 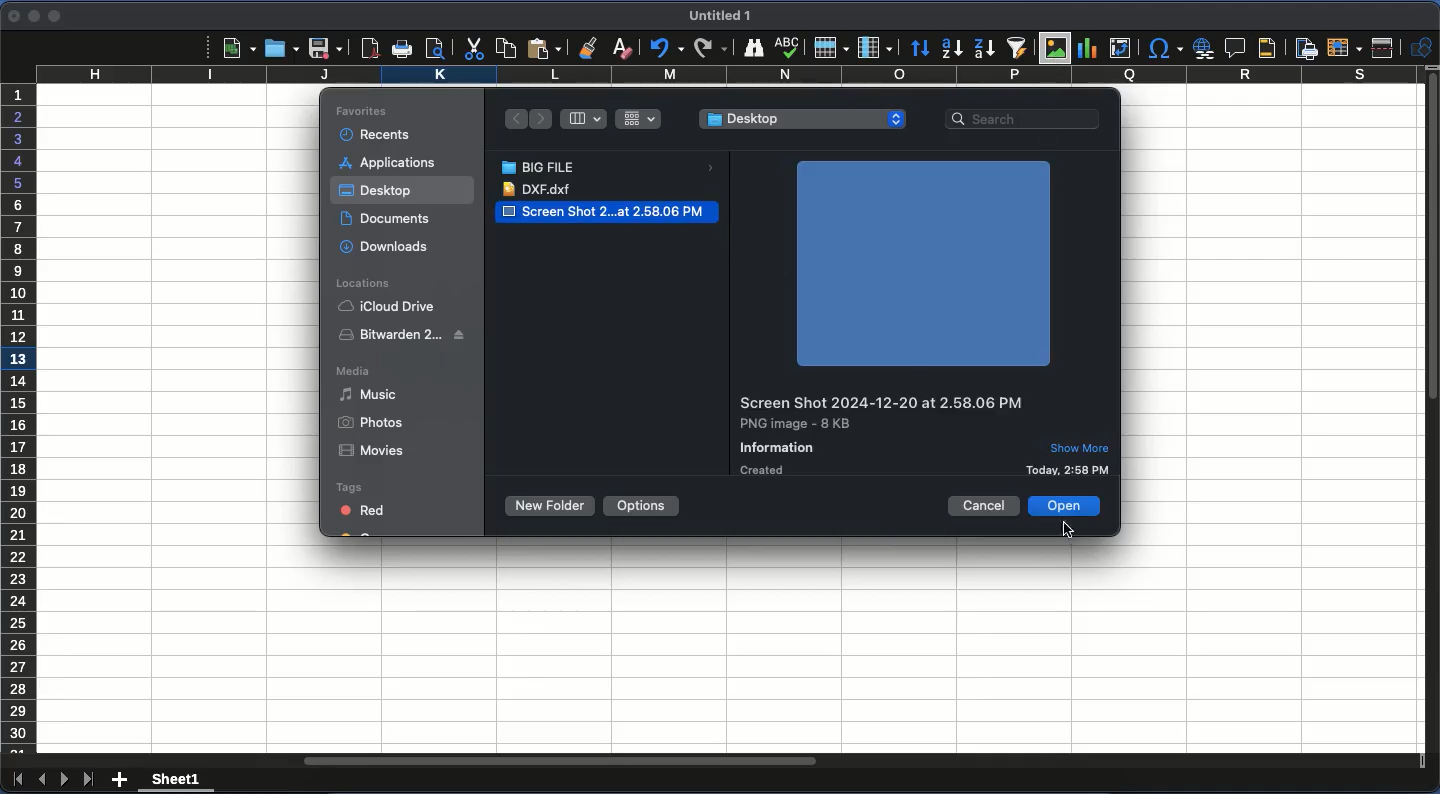 I want to click on red, so click(x=363, y=509).